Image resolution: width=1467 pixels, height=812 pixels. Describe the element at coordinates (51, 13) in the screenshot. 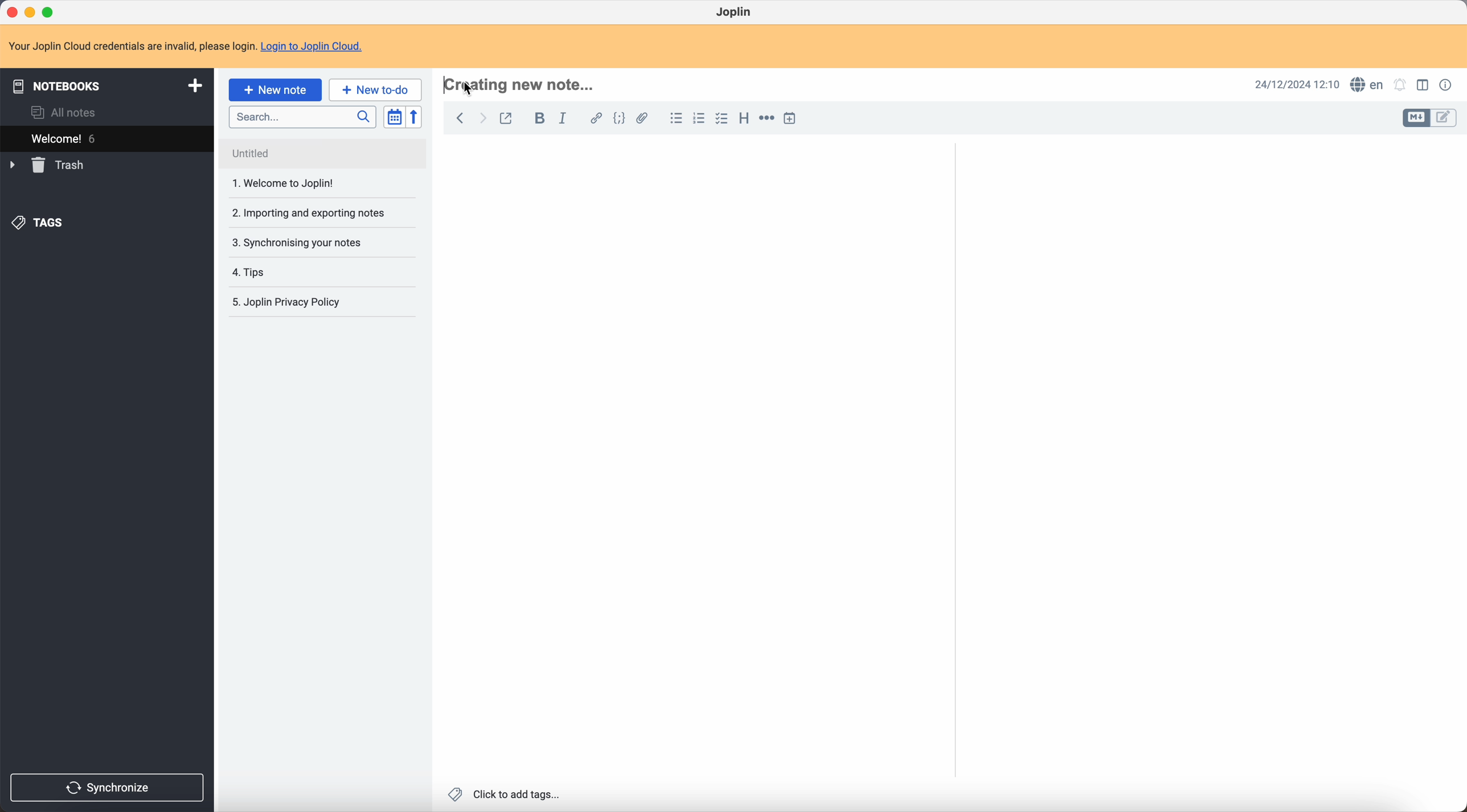

I see `maximize` at that location.